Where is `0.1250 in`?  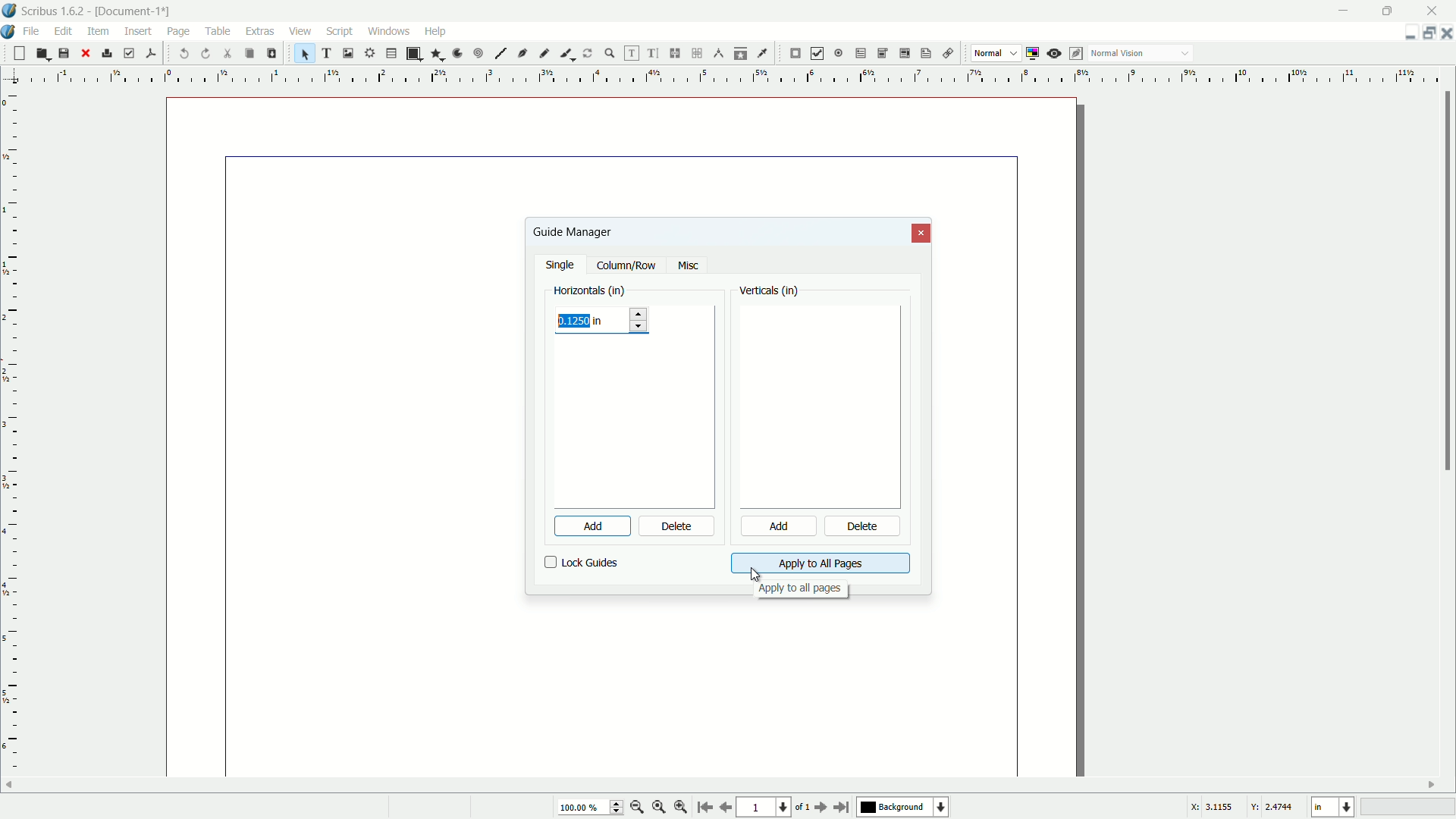 0.1250 in is located at coordinates (584, 320).